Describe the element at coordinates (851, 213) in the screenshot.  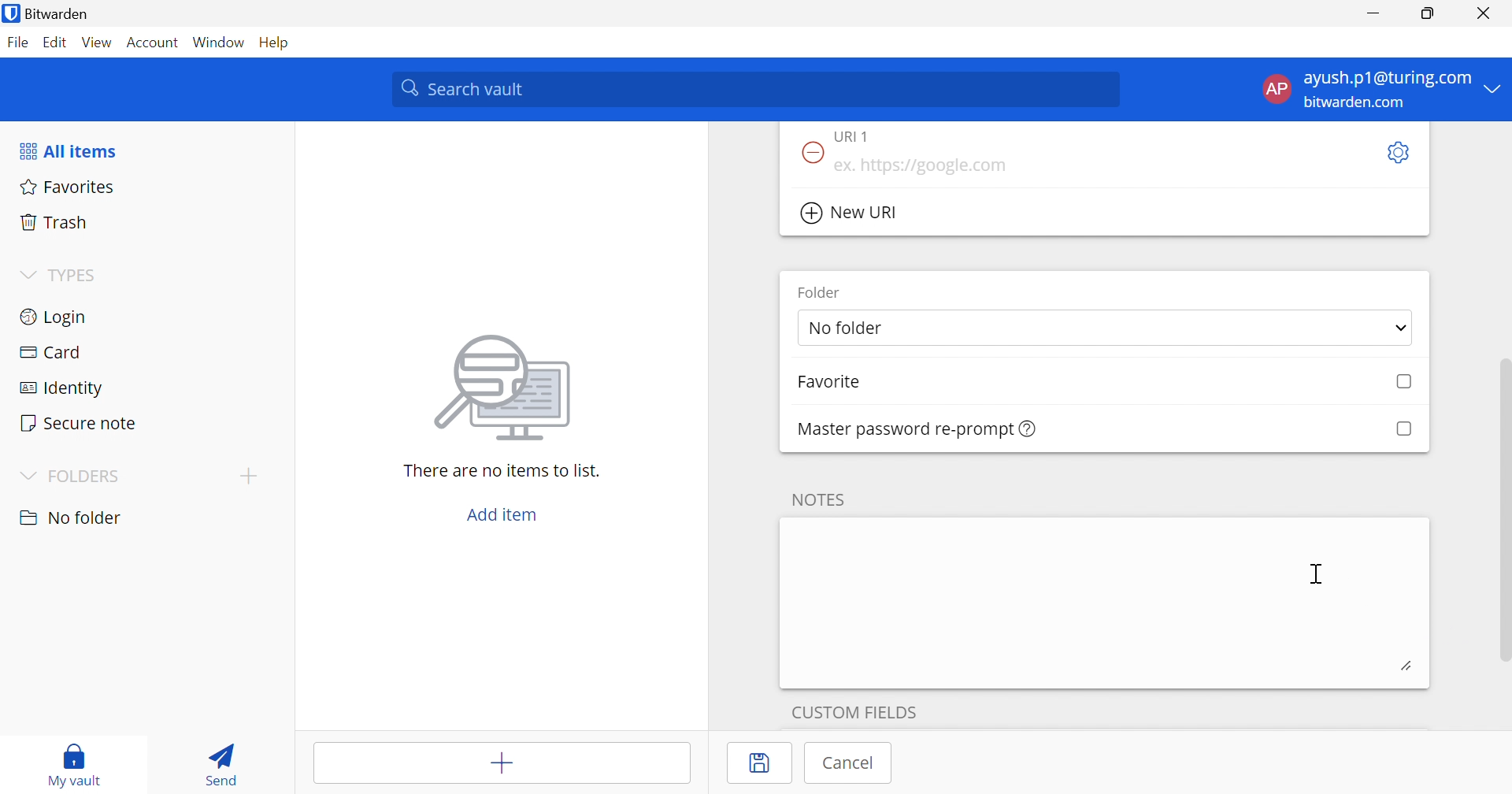
I see `New URI` at that location.